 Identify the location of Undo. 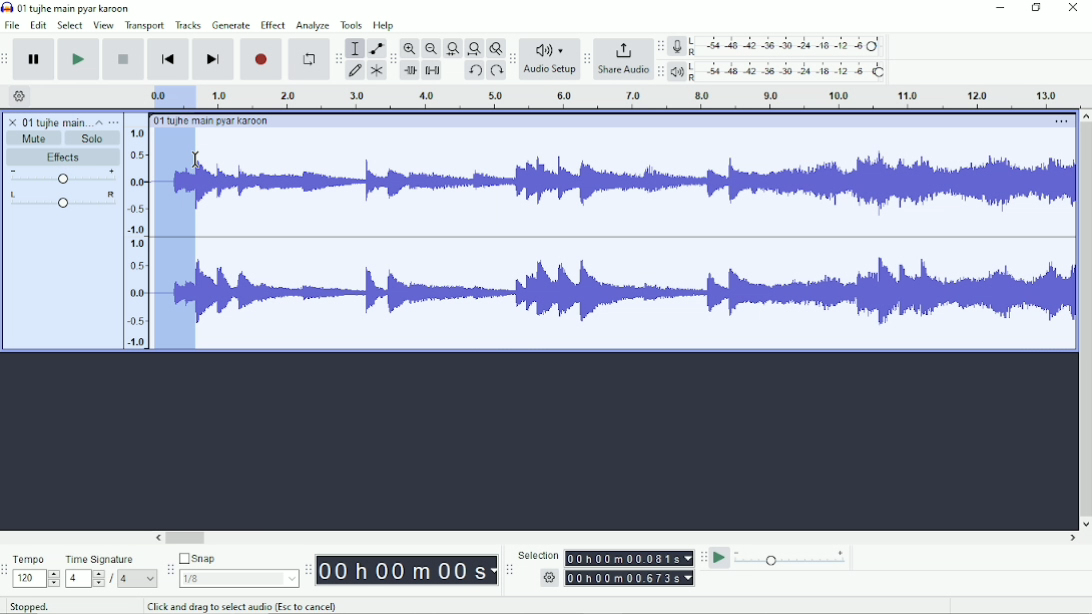
(475, 72).